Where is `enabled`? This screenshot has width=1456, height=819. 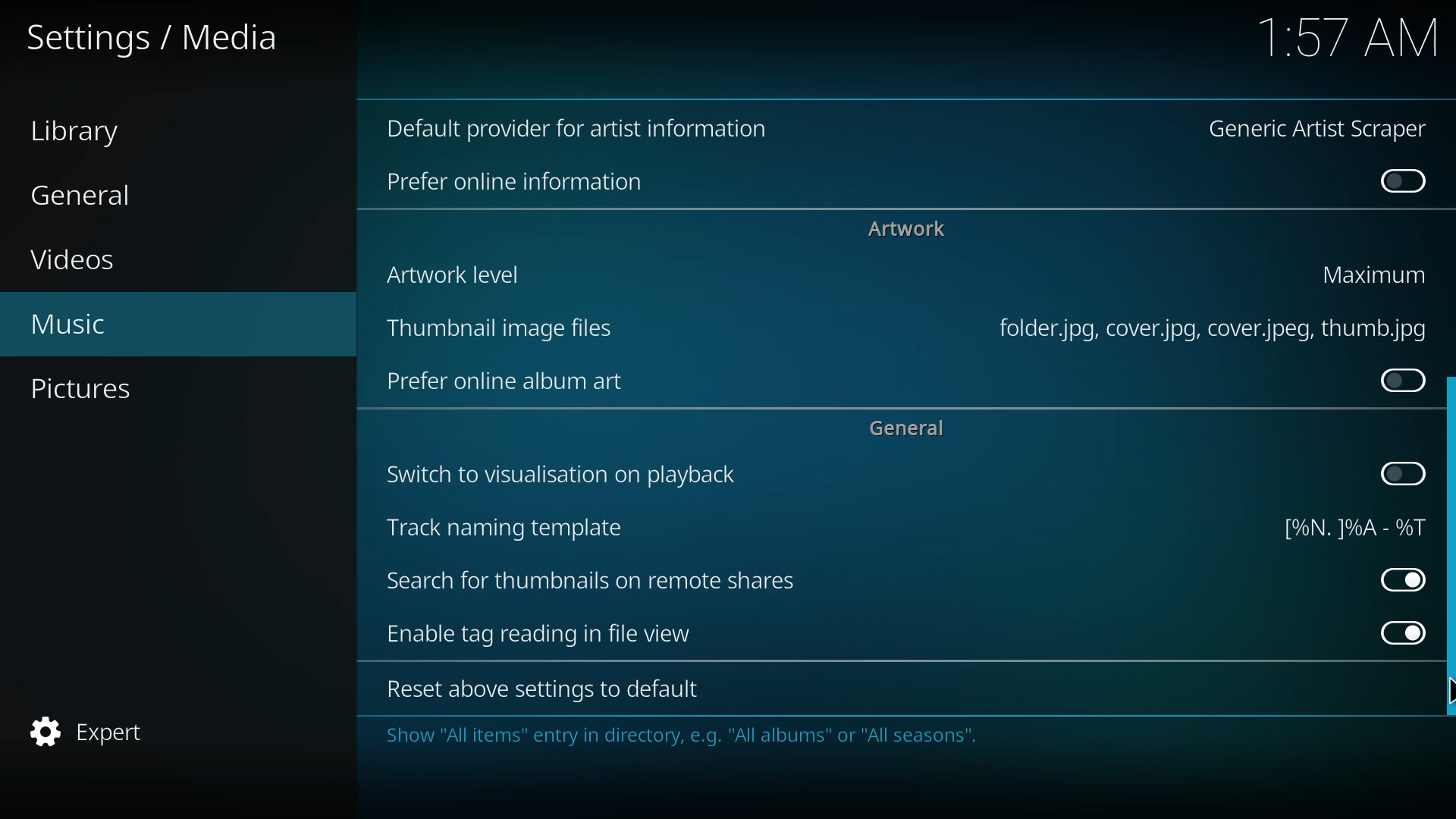
enabled is located at coordinates (1398, 631).